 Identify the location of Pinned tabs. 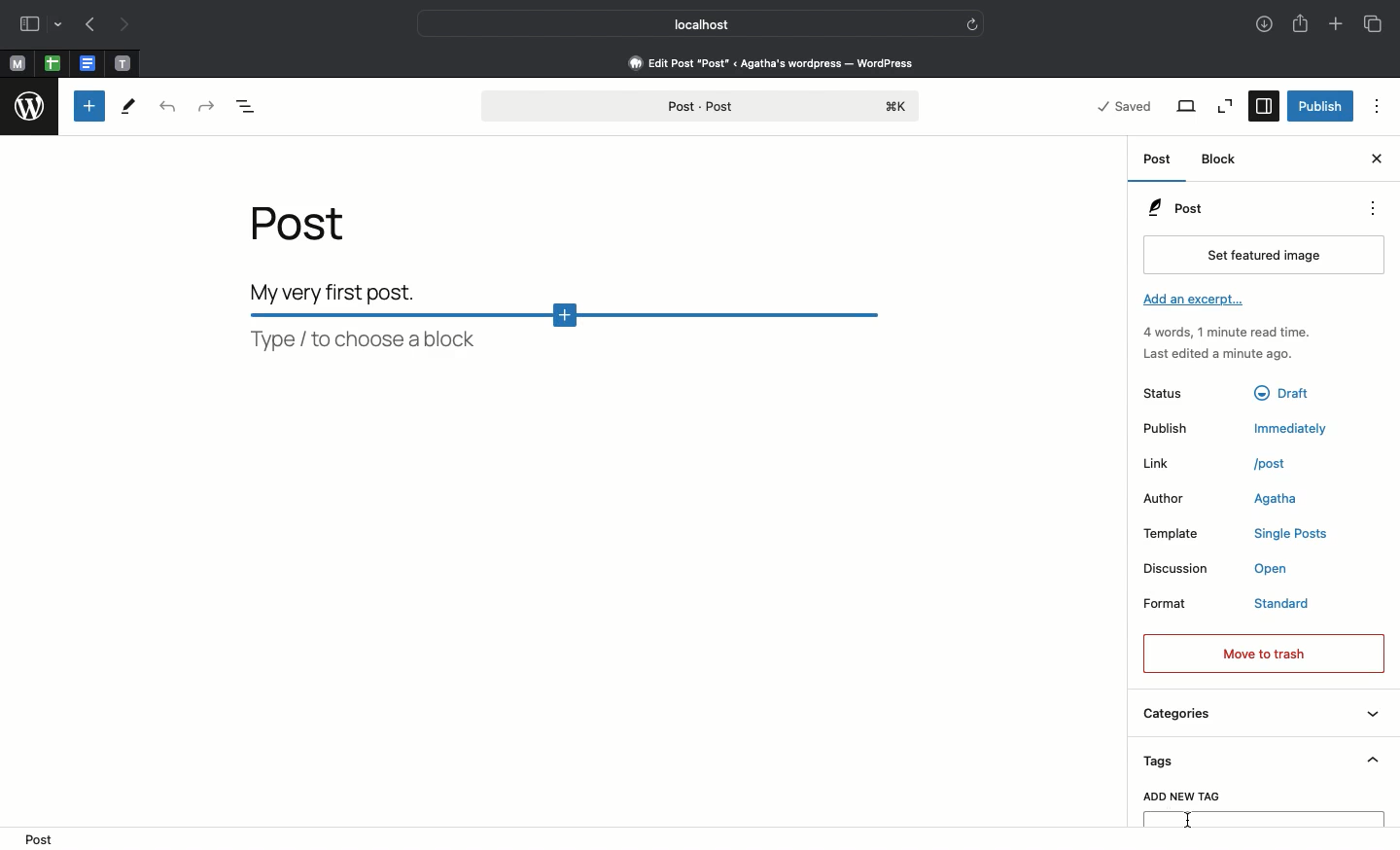
(125, 62).